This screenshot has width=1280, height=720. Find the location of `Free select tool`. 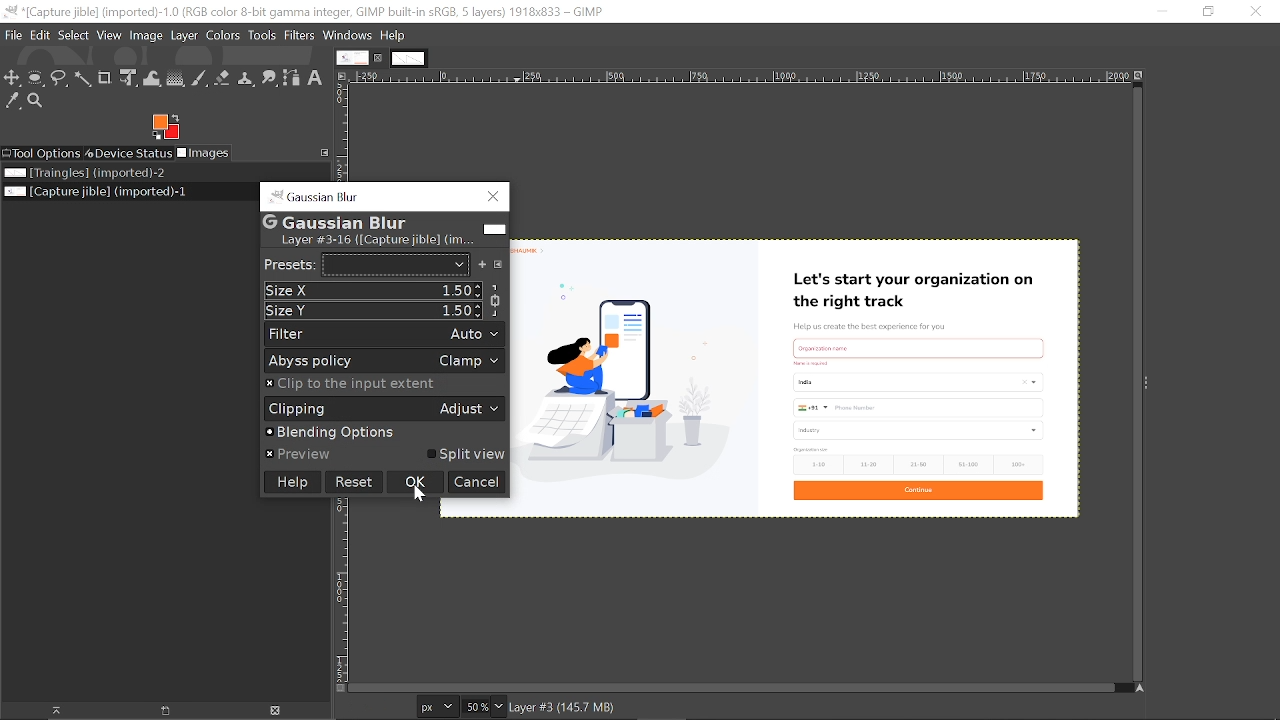

Free select tool is located at coordinates (60, 79).